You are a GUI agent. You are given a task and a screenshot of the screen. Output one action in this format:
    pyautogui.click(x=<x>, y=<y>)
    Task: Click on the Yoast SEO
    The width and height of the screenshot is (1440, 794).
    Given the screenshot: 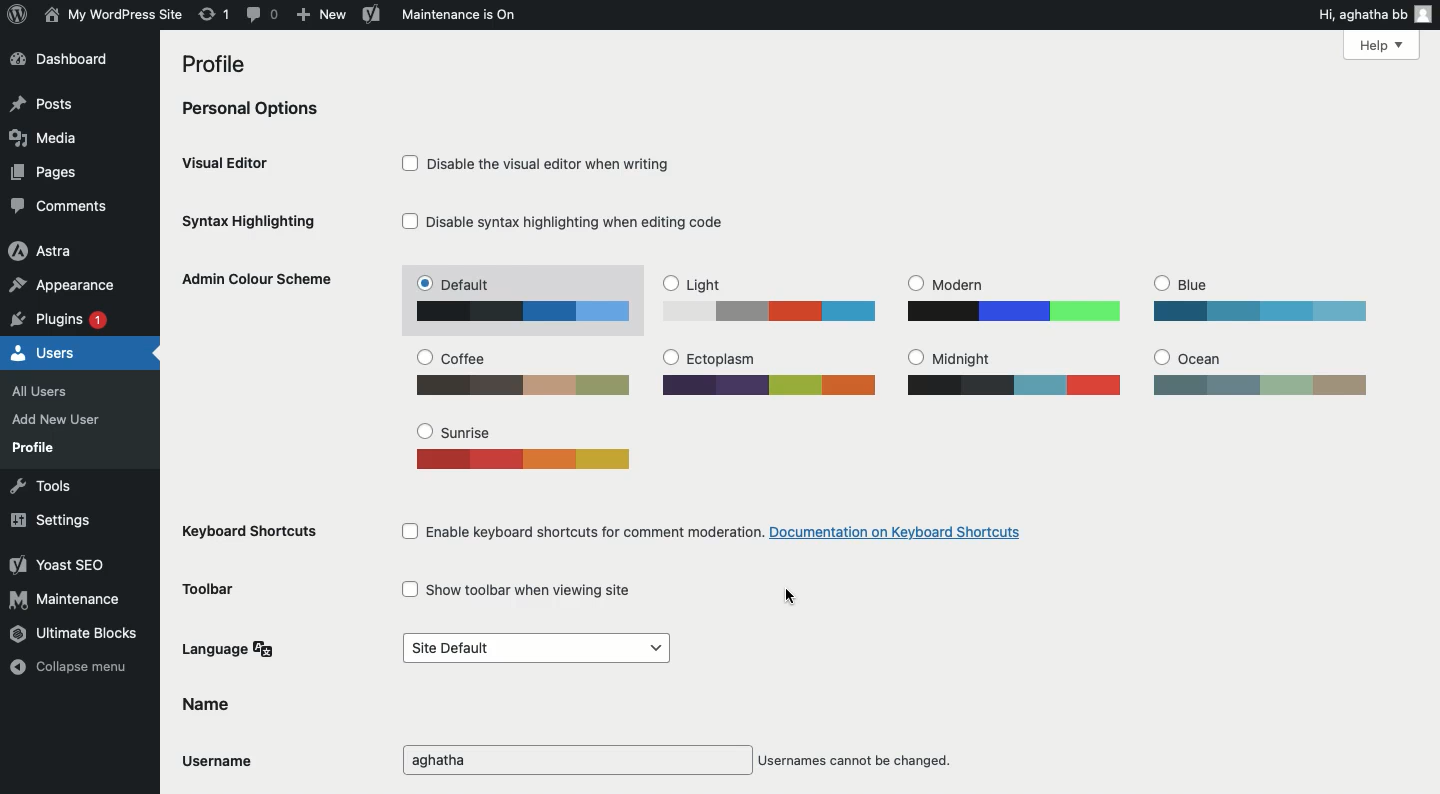 What is the action you would take?
    pyautogui.click(x=61, y=566)
    